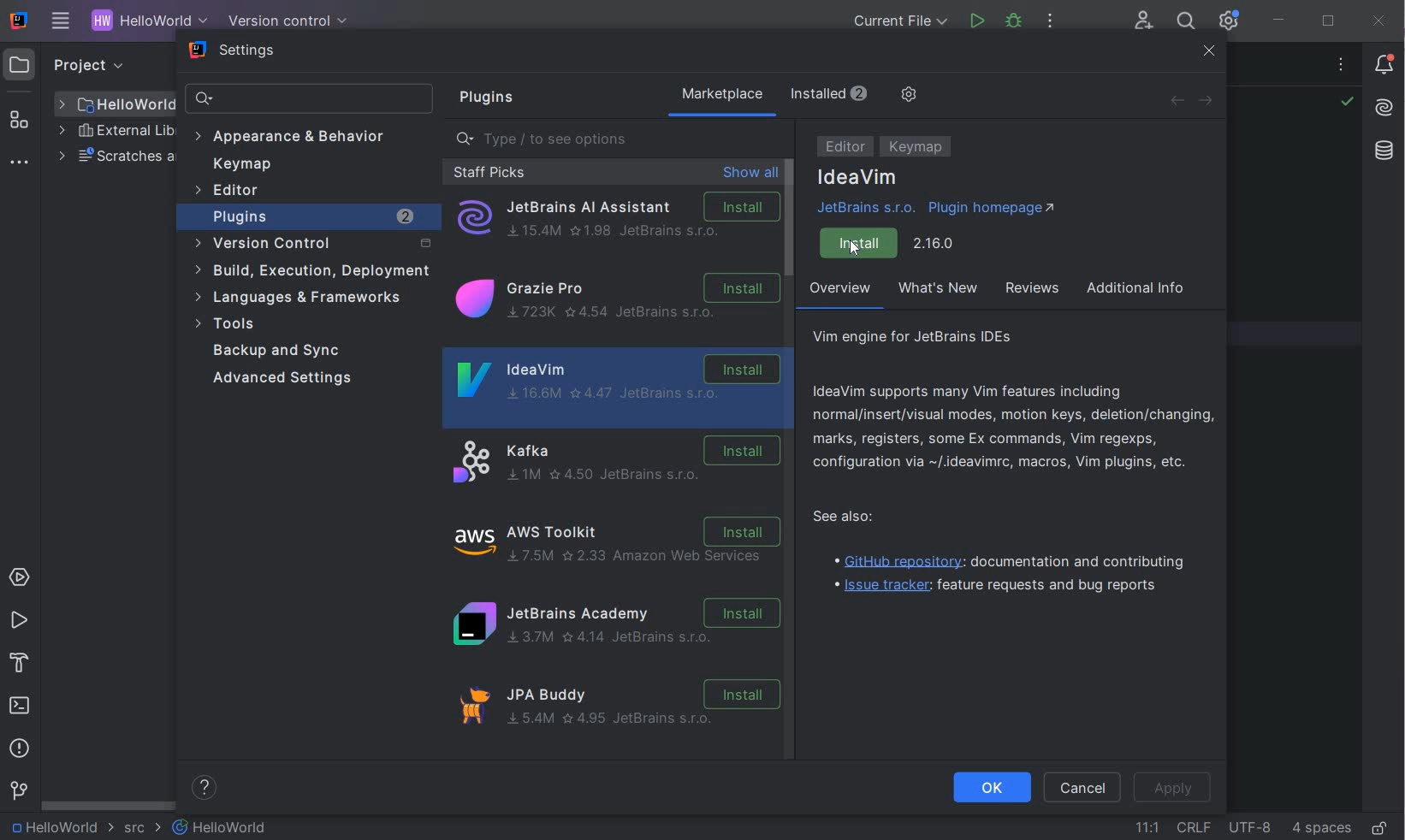  What do you see at coordinates (300, 300) in the screenshot?
I see `language & frameworks` at bounding box center [300, 300].